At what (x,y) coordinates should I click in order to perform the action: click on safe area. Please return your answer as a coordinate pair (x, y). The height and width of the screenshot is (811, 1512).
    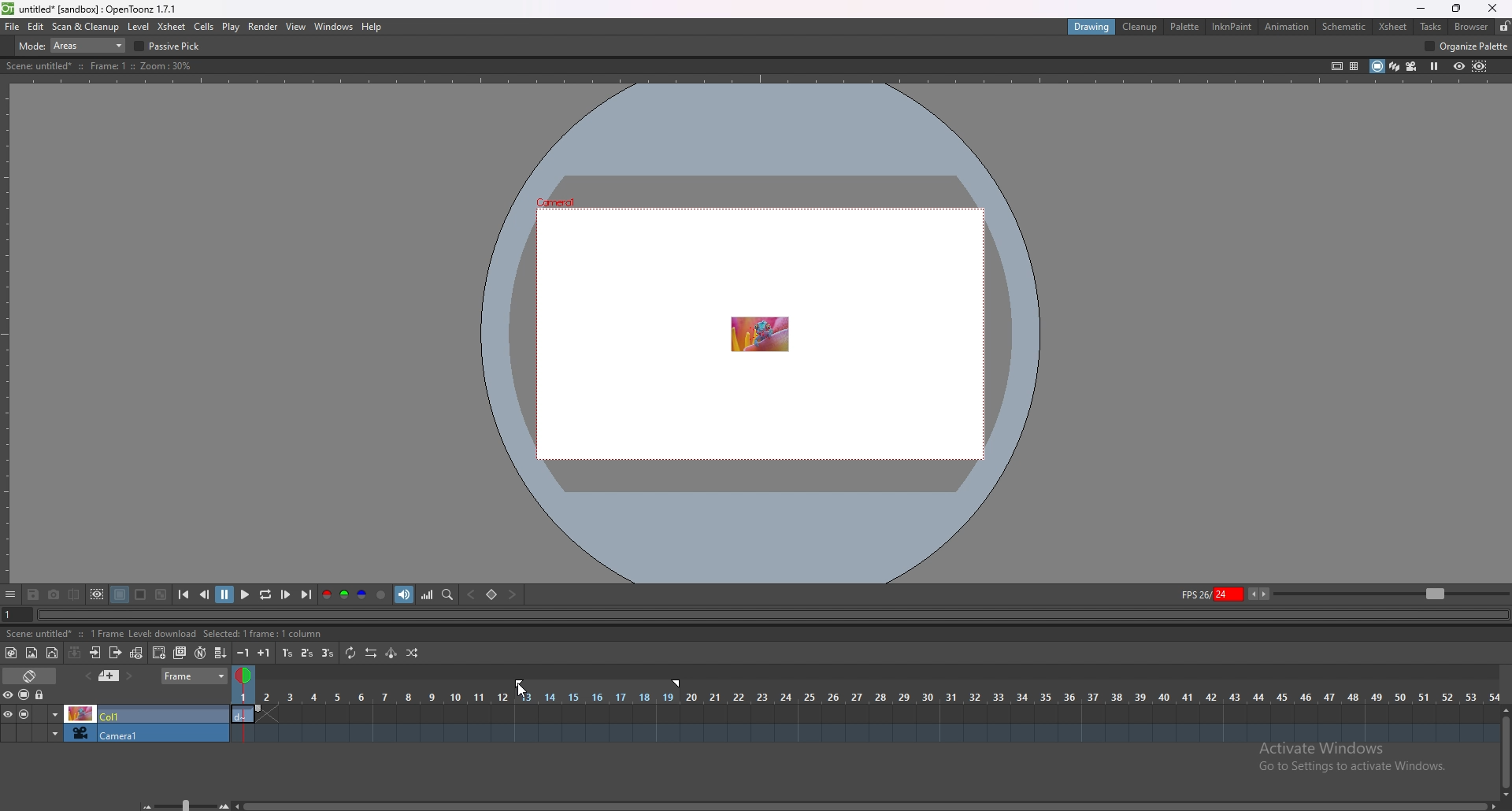
    Looking at the image, I should click on (1338, 66).